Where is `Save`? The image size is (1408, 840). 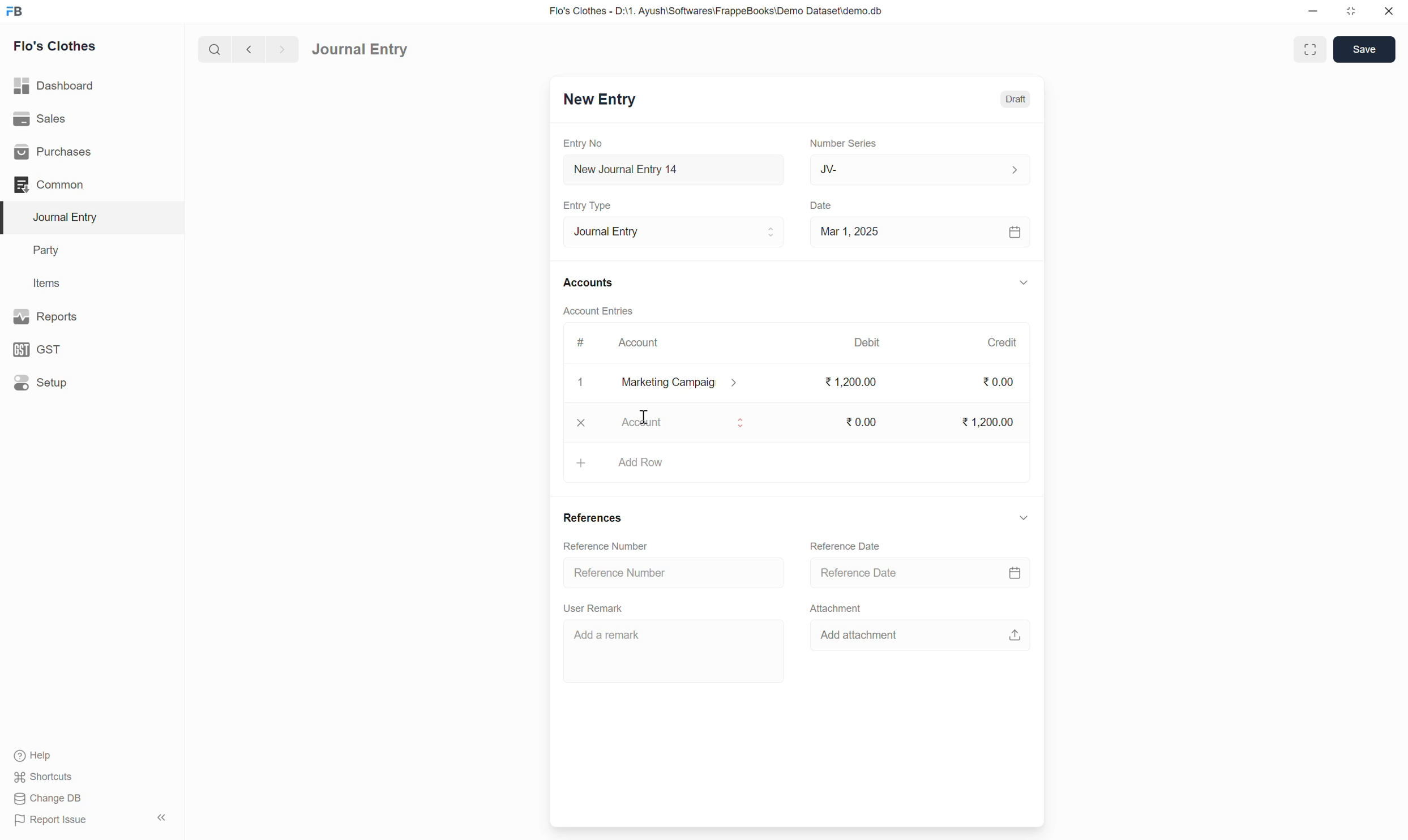
Save is located at coordinates (1365, 50).